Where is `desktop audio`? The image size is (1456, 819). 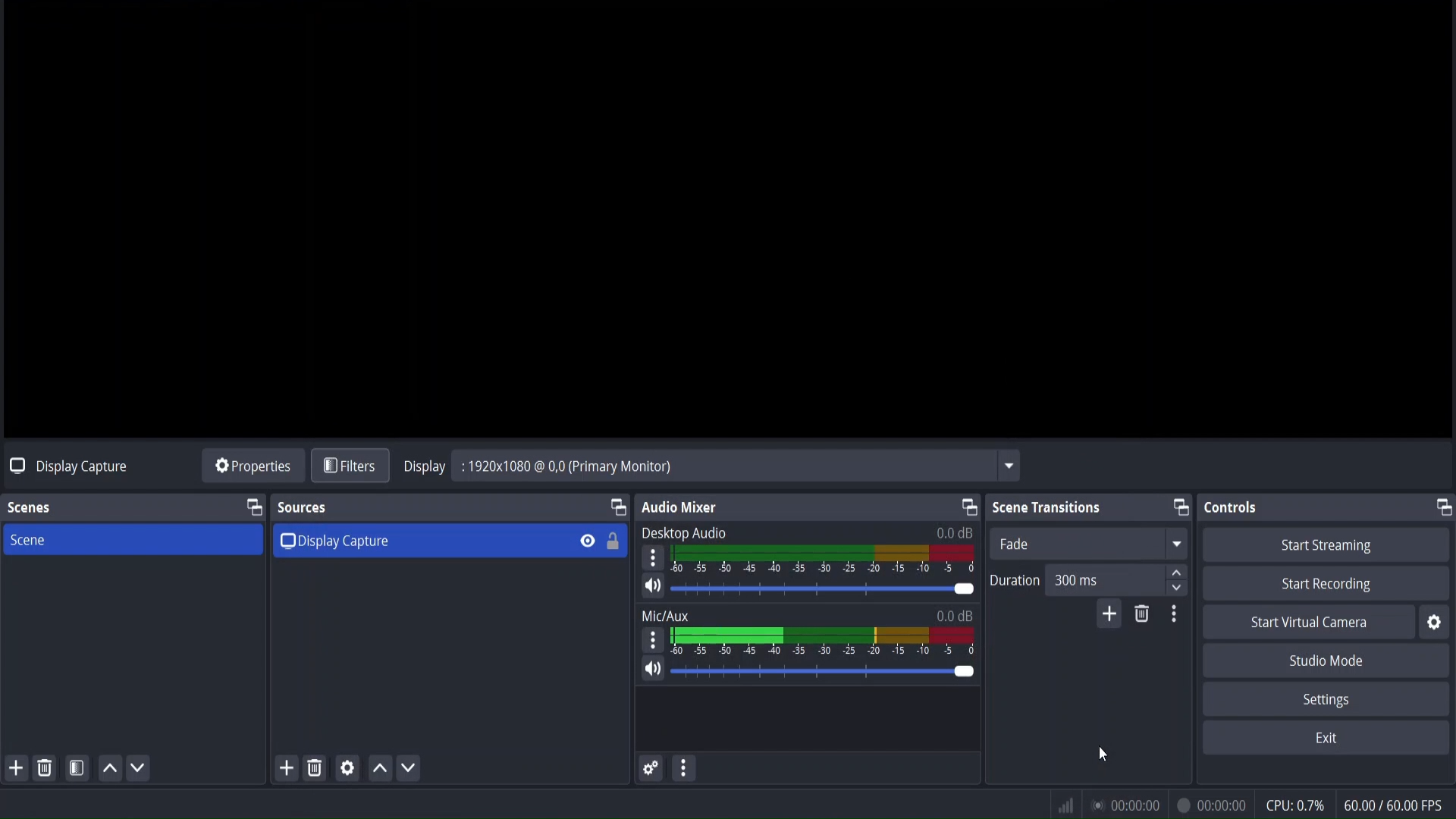
desktop audio is located at coordinates (822, 562).